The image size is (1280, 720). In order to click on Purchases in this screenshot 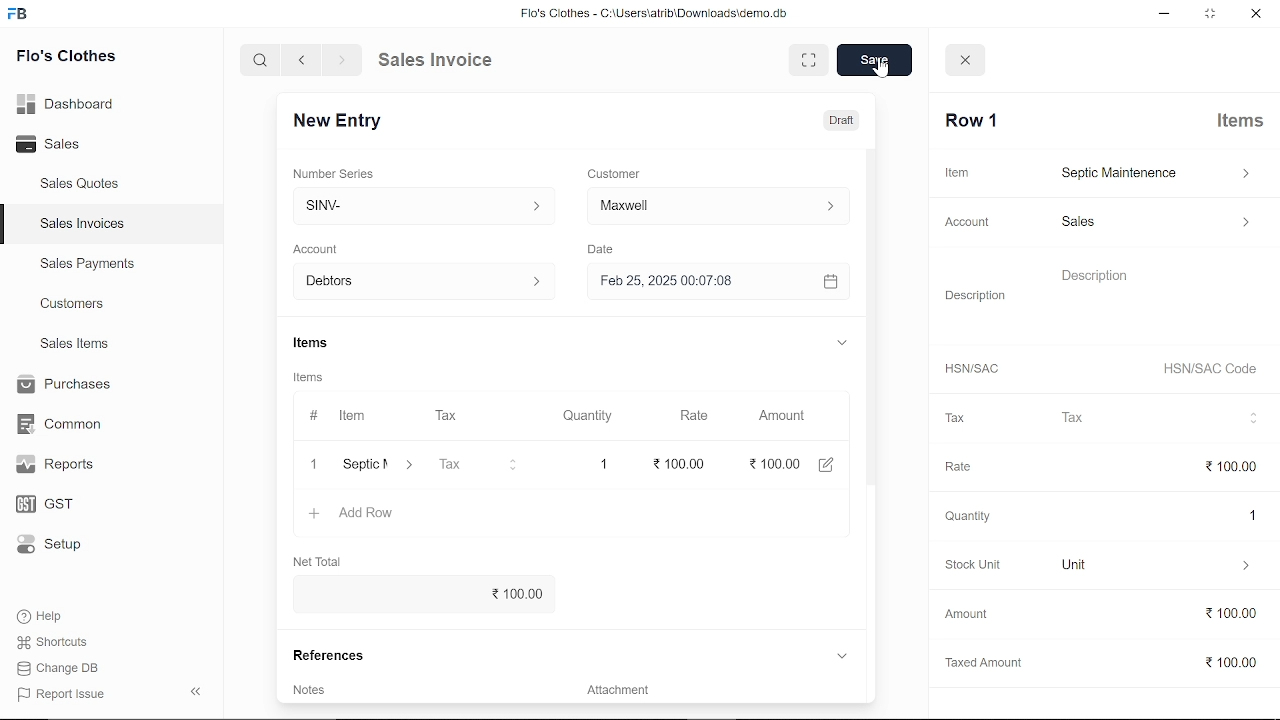, I will do `click(67, 386)`.